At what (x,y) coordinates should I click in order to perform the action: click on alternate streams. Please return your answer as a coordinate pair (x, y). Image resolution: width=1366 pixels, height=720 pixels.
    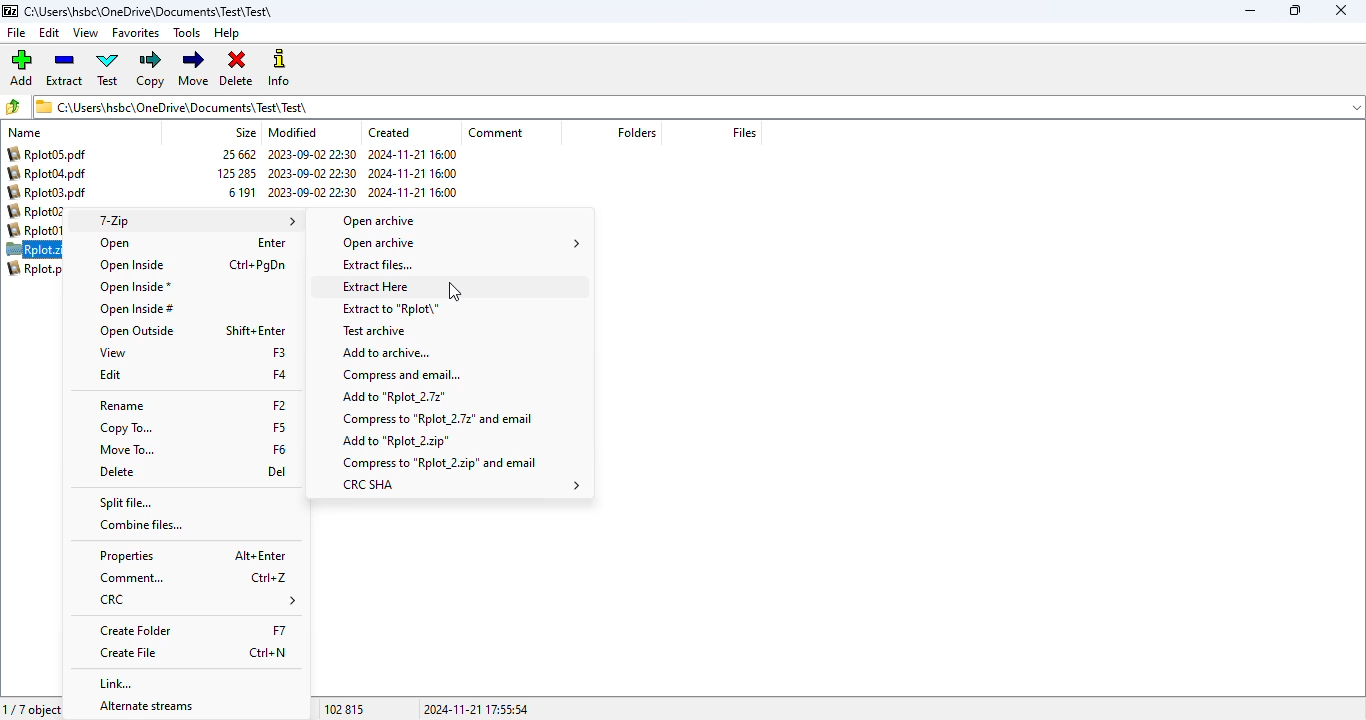
    Looking at the image, I should click on (139, 707).